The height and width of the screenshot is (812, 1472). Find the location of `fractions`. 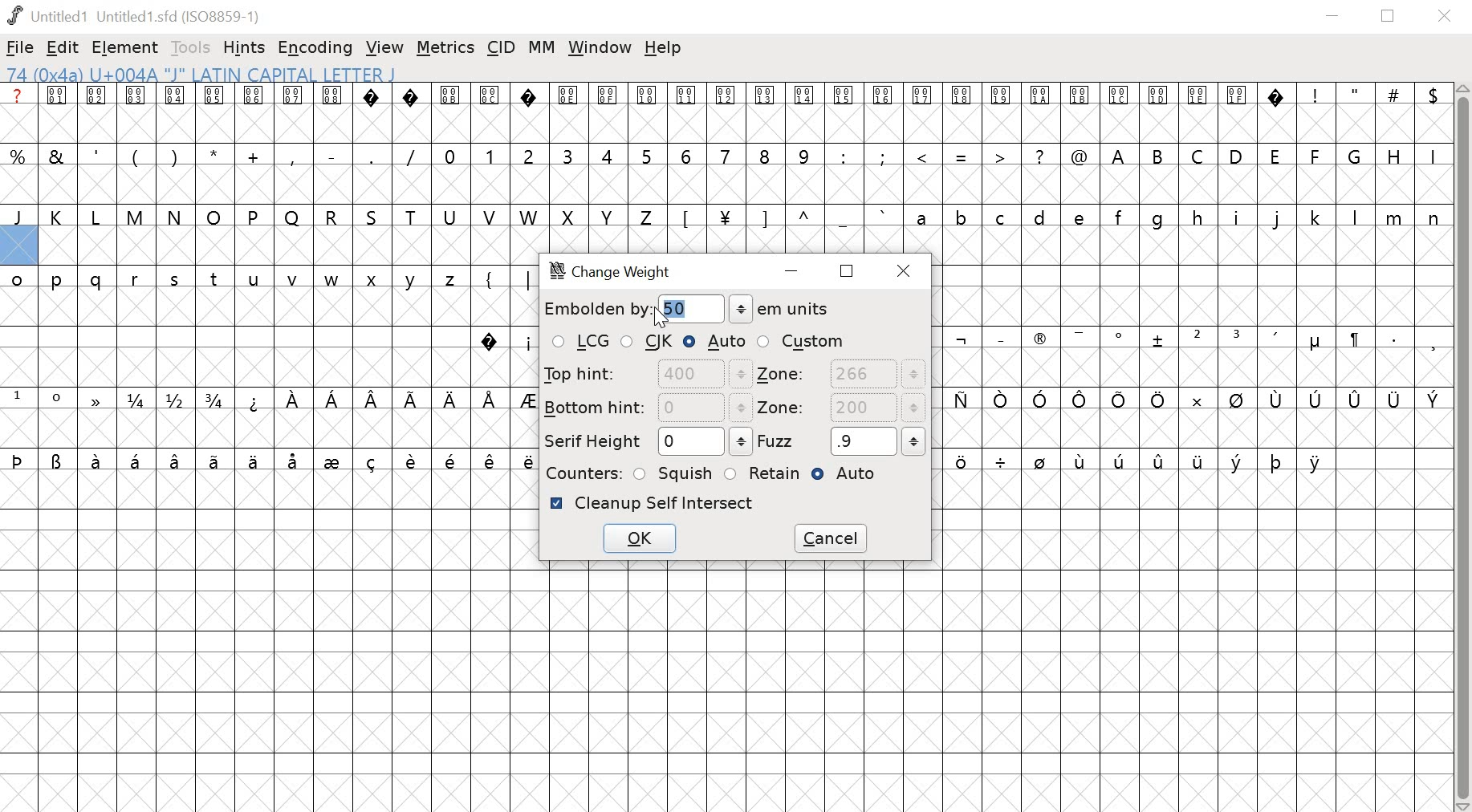

fractions is located at coordinates (179, 401).